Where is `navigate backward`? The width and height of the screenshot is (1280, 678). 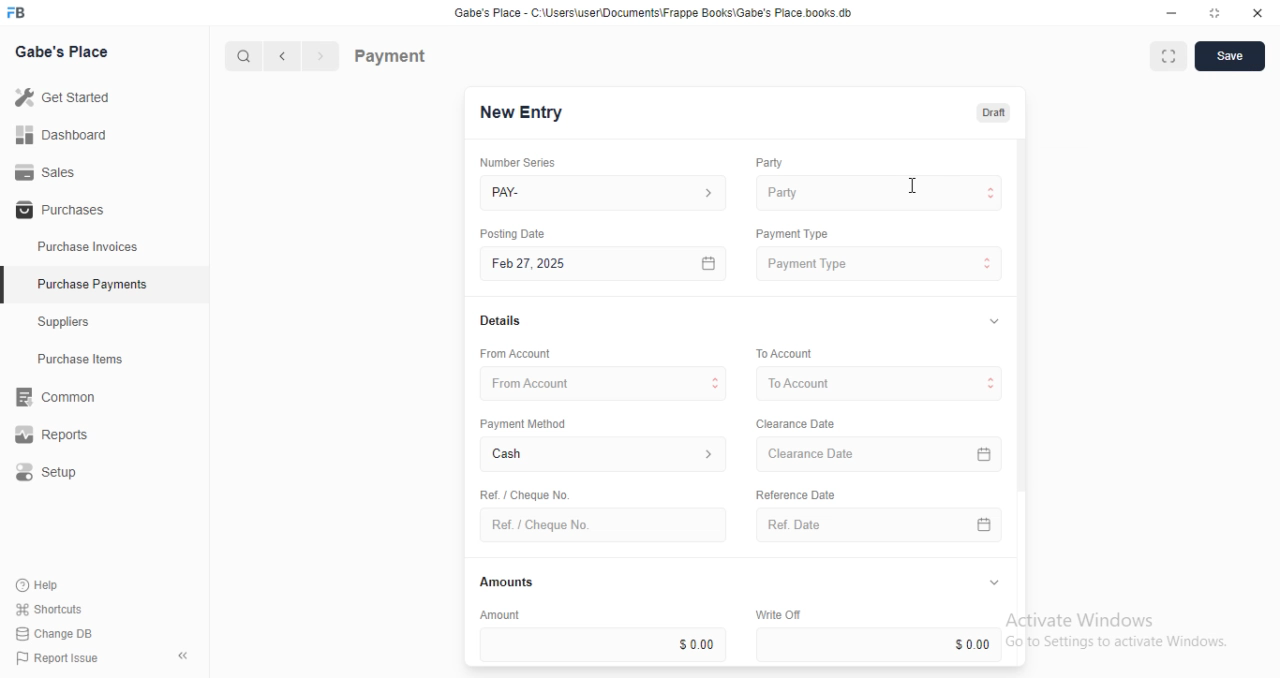
navigate backward is located at coordinates (286, 58).